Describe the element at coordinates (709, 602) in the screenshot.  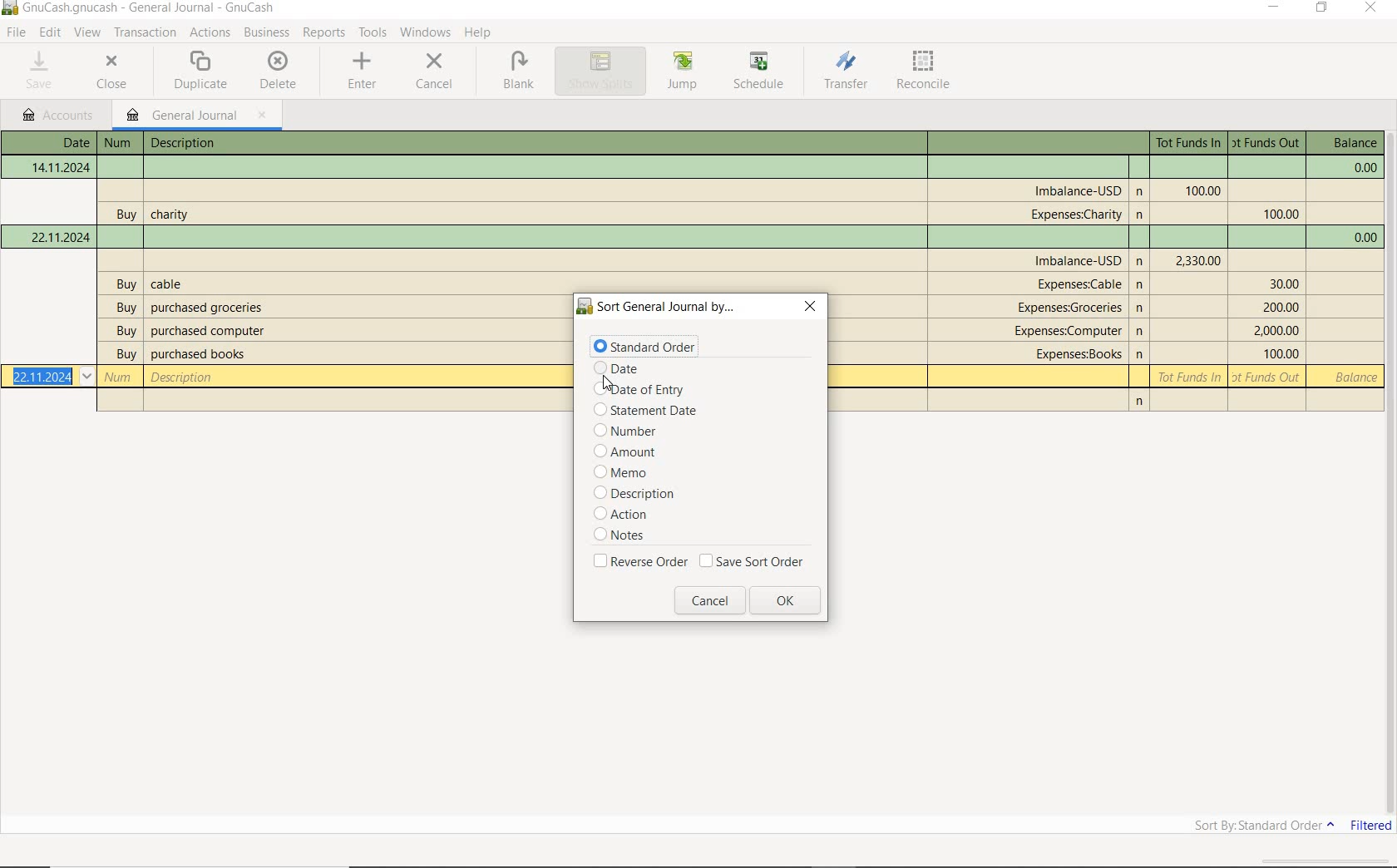
I see `cancel` at that location.